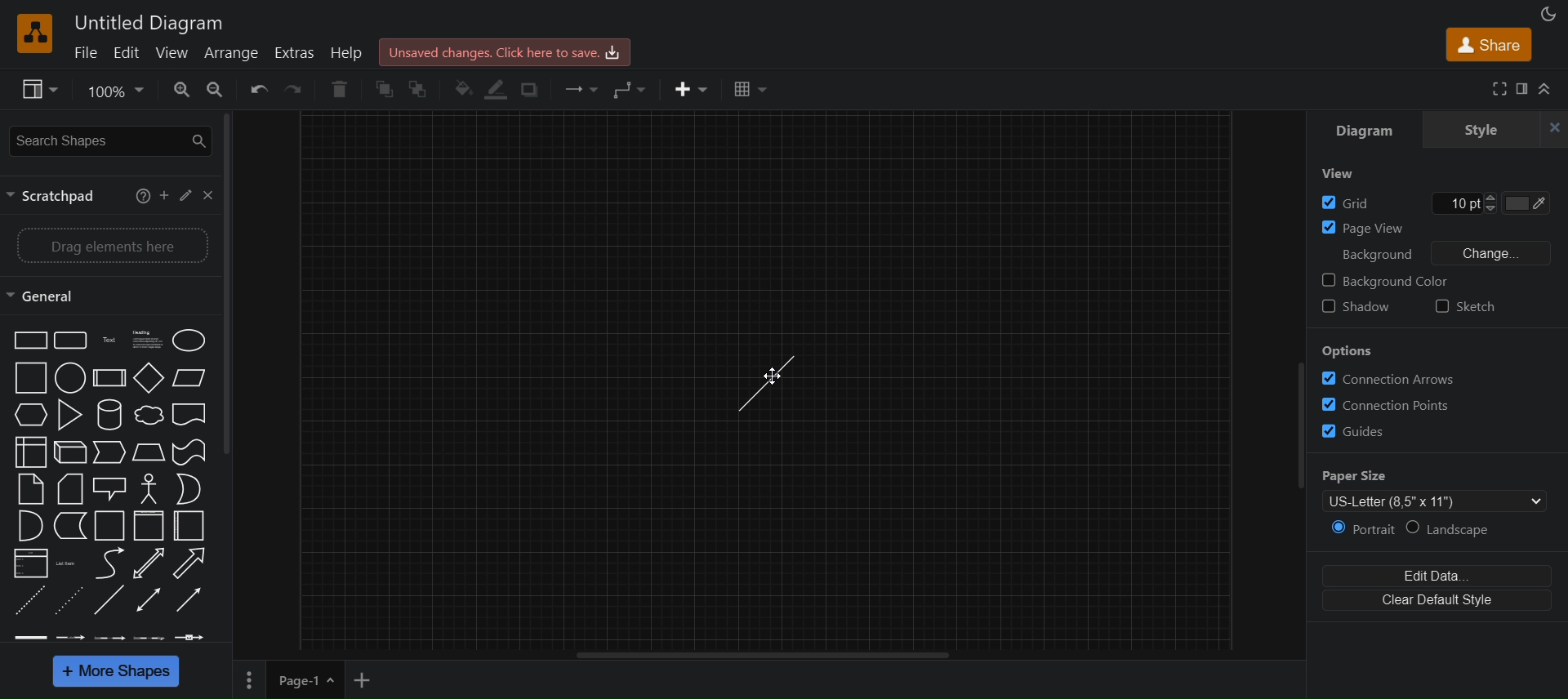 The width and height of the screenshot is (1568, 699). I want to click on connection arrows, so click(1389, 380).